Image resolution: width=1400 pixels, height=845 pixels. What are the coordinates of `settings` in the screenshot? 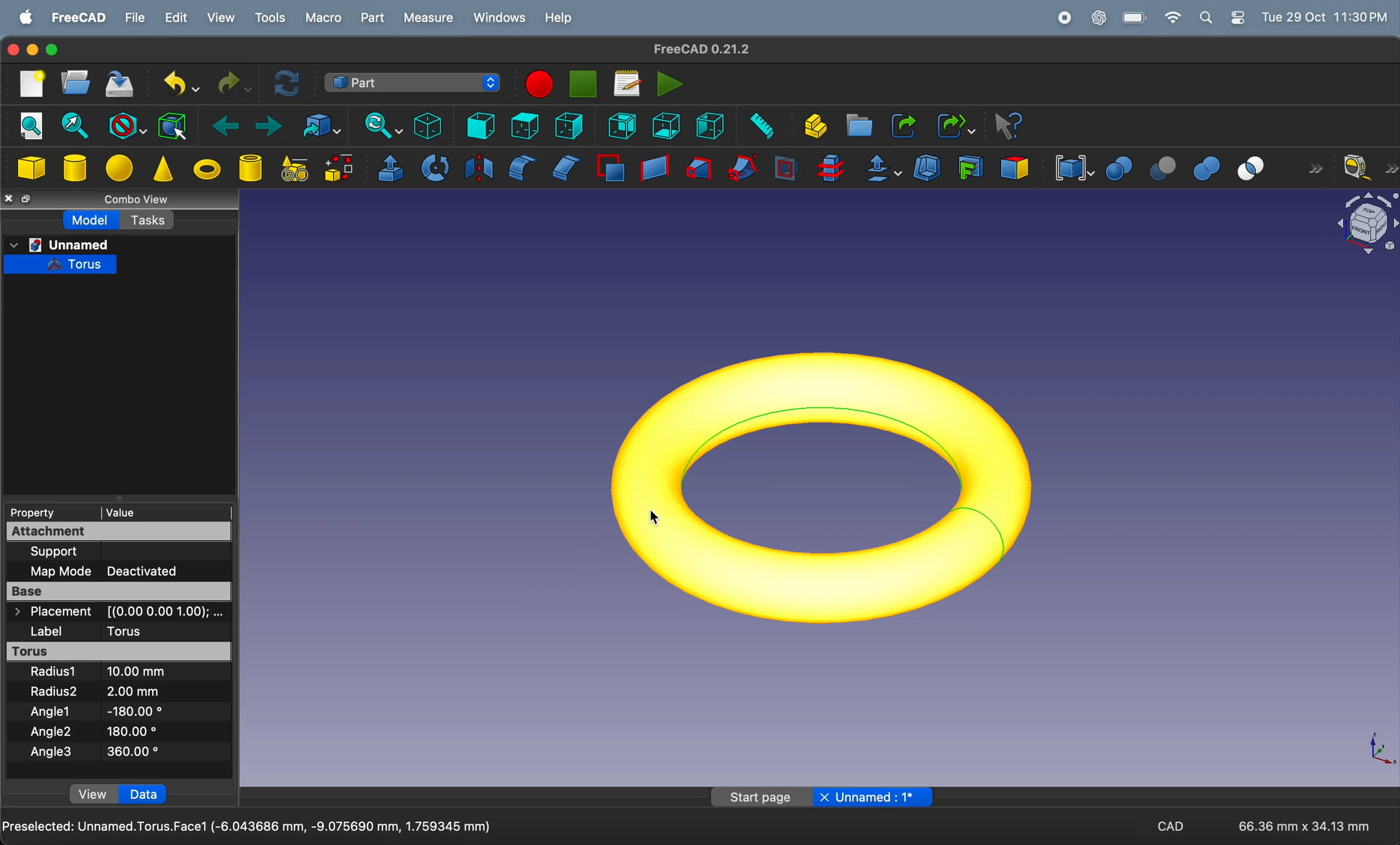 It's located at (1239, 18).